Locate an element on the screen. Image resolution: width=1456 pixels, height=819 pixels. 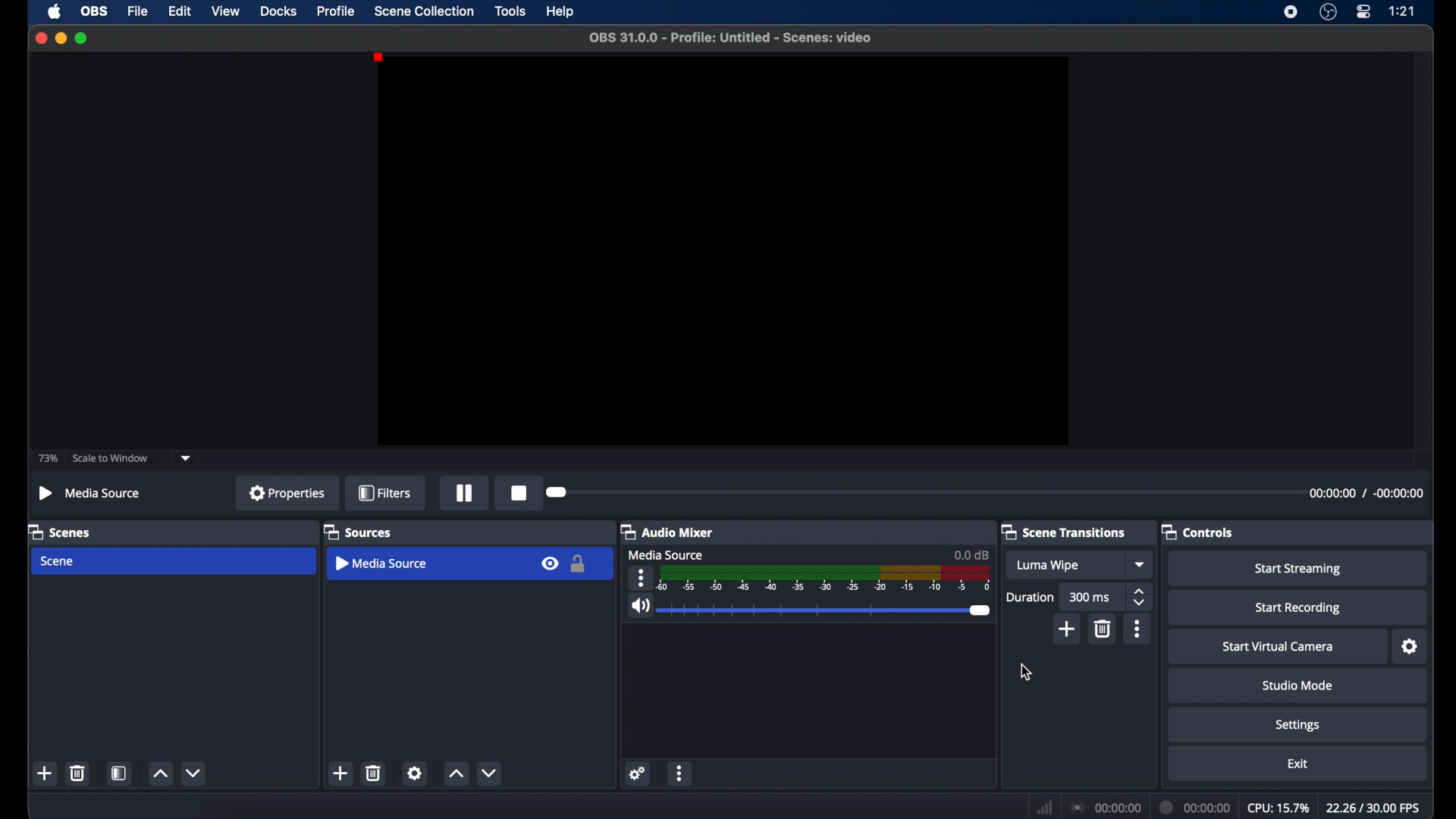
no source selected is located at coordinates (92, 492).